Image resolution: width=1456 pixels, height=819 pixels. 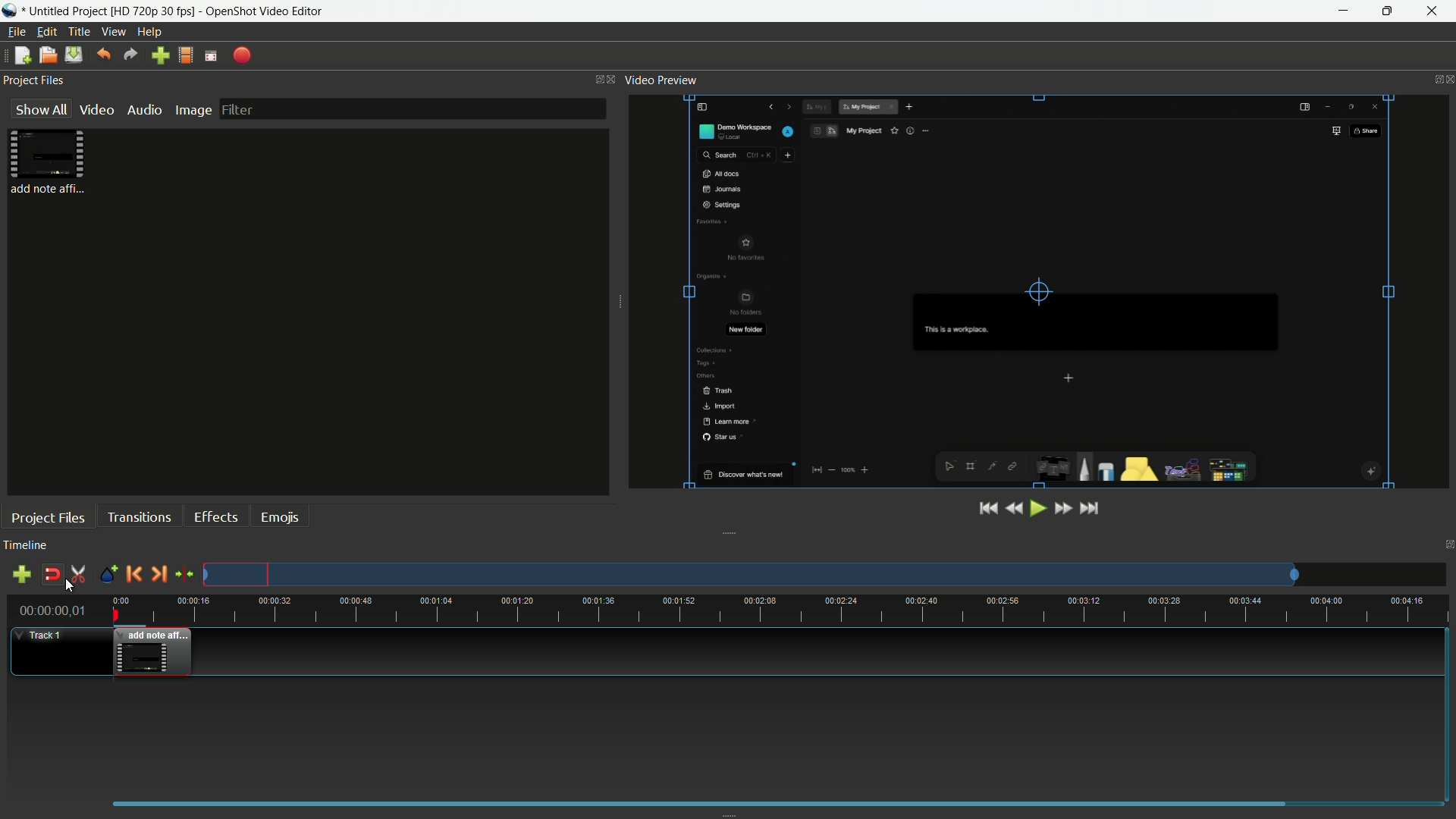 What do you see at coordinates (43, 32) in the screenshot?
I see `edit menu` at bounding box center [43, 32].